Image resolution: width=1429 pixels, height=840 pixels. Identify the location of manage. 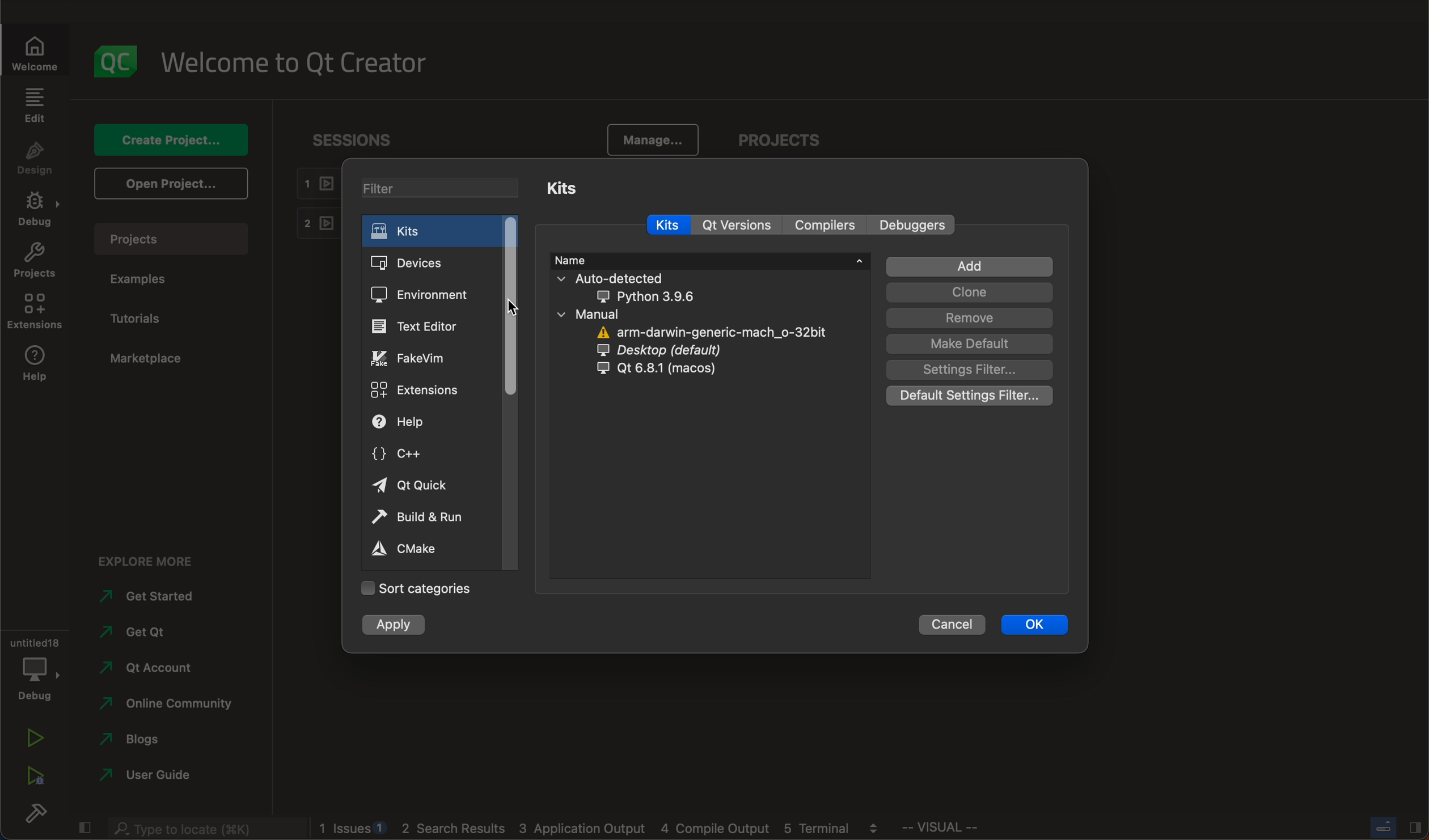
(653, 137).